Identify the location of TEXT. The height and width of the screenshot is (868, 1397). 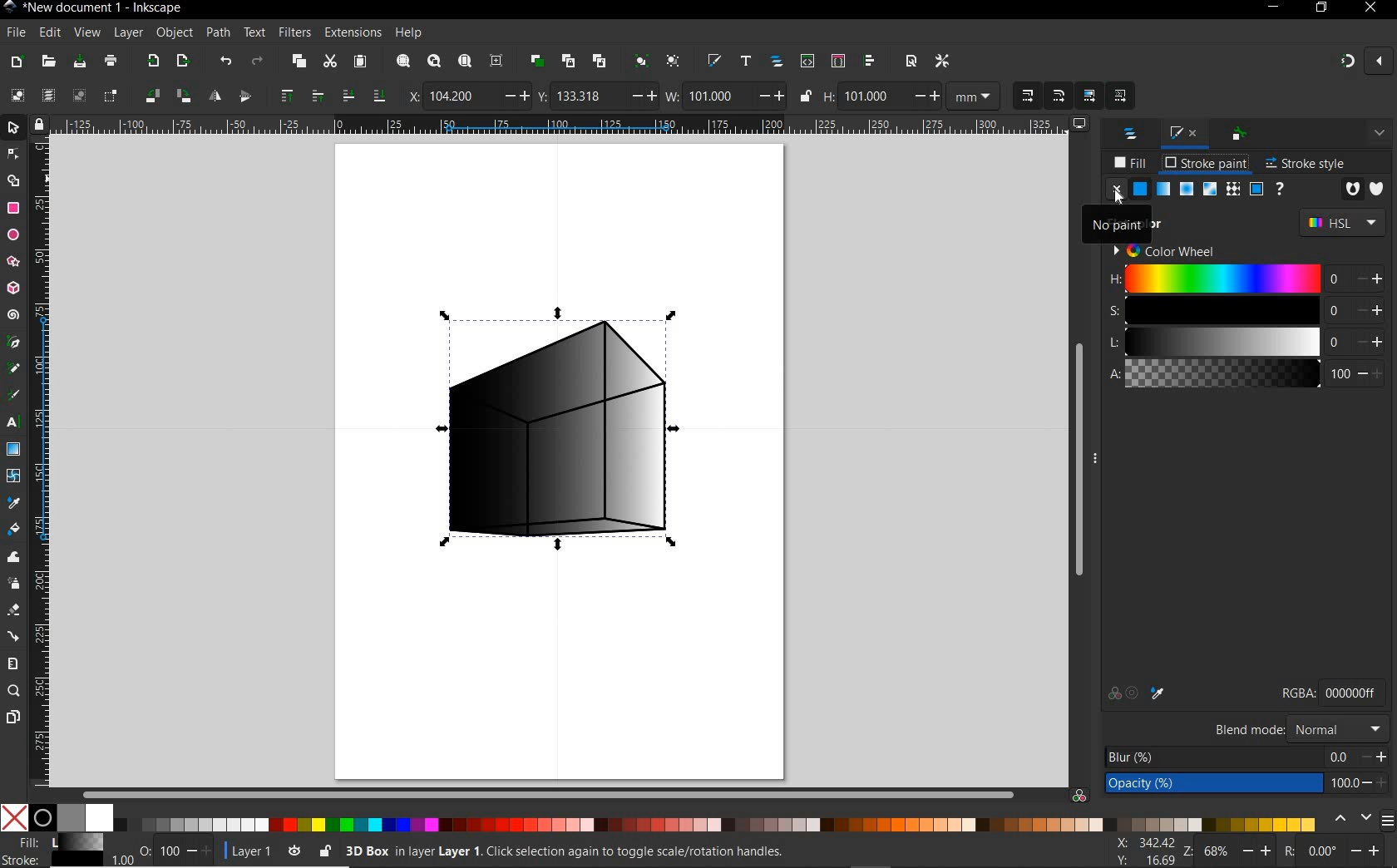
(254, 32).